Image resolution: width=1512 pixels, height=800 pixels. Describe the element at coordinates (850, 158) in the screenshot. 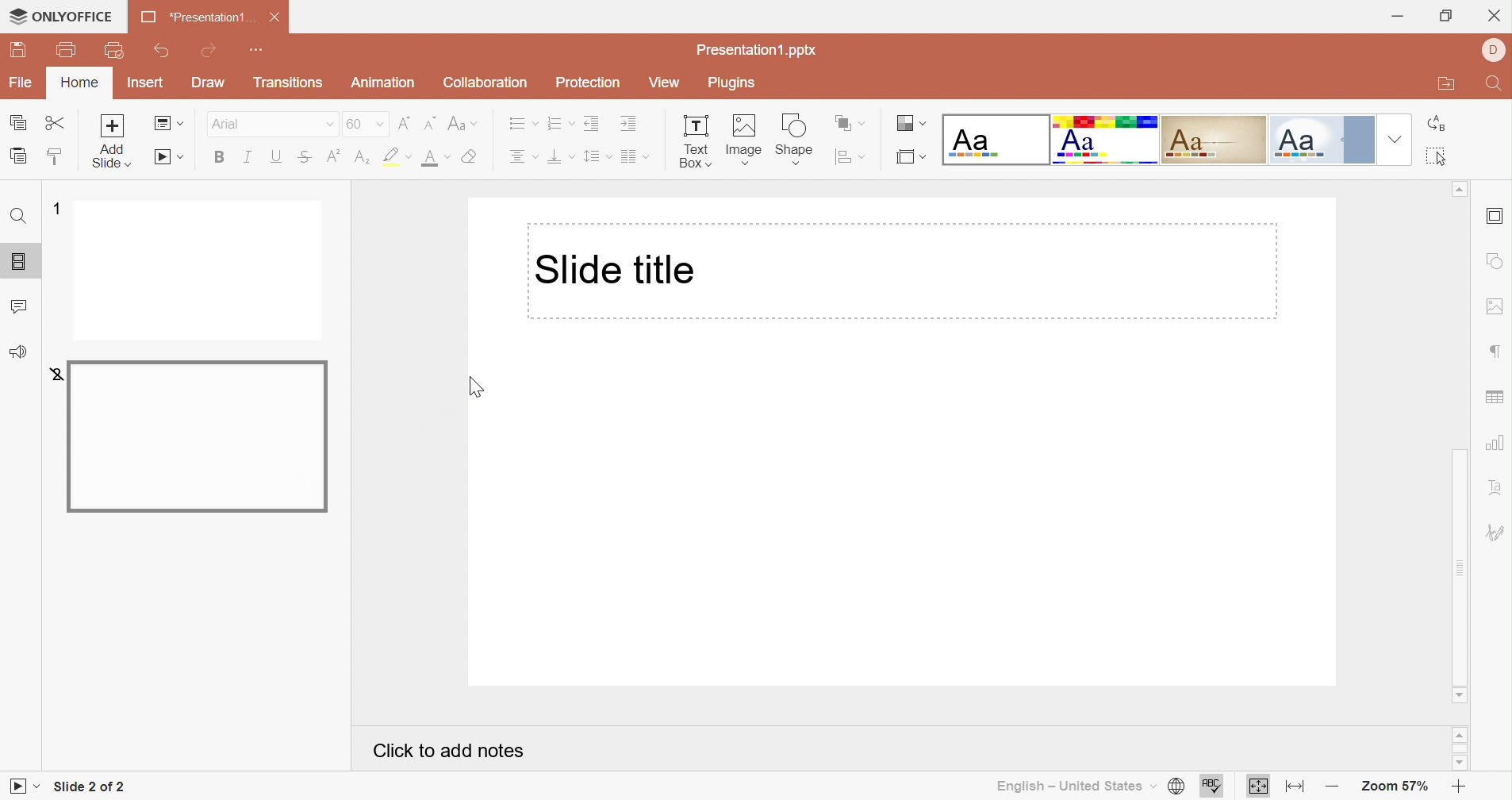

I see `Align shape` at that location.